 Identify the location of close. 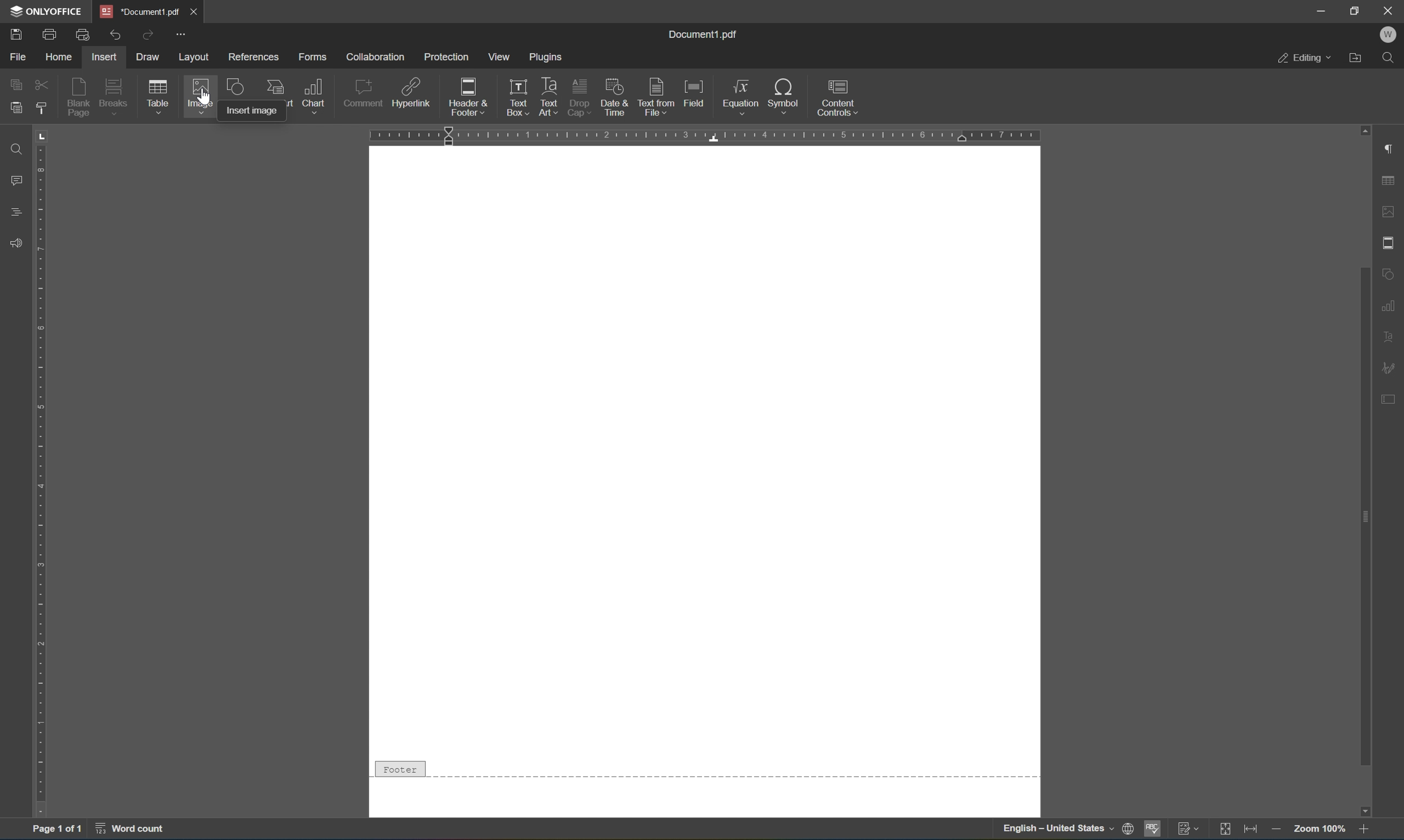
(203, 14).